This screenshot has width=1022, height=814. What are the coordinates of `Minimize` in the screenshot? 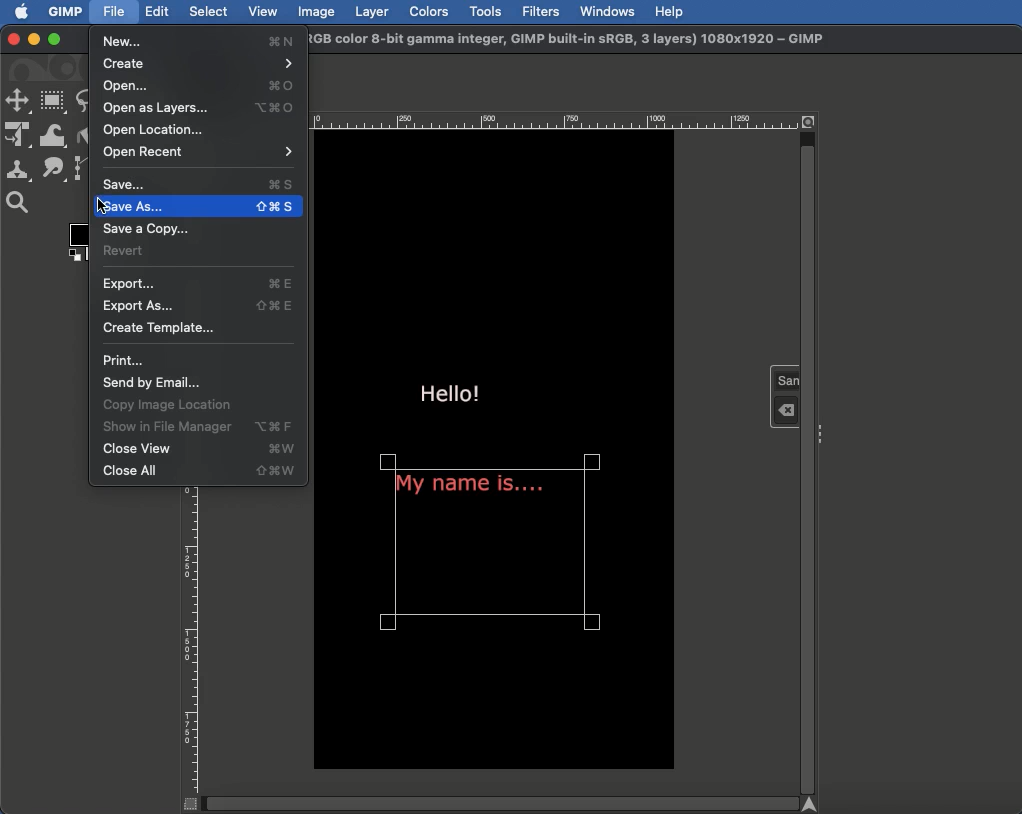 It's located at (32, 40).